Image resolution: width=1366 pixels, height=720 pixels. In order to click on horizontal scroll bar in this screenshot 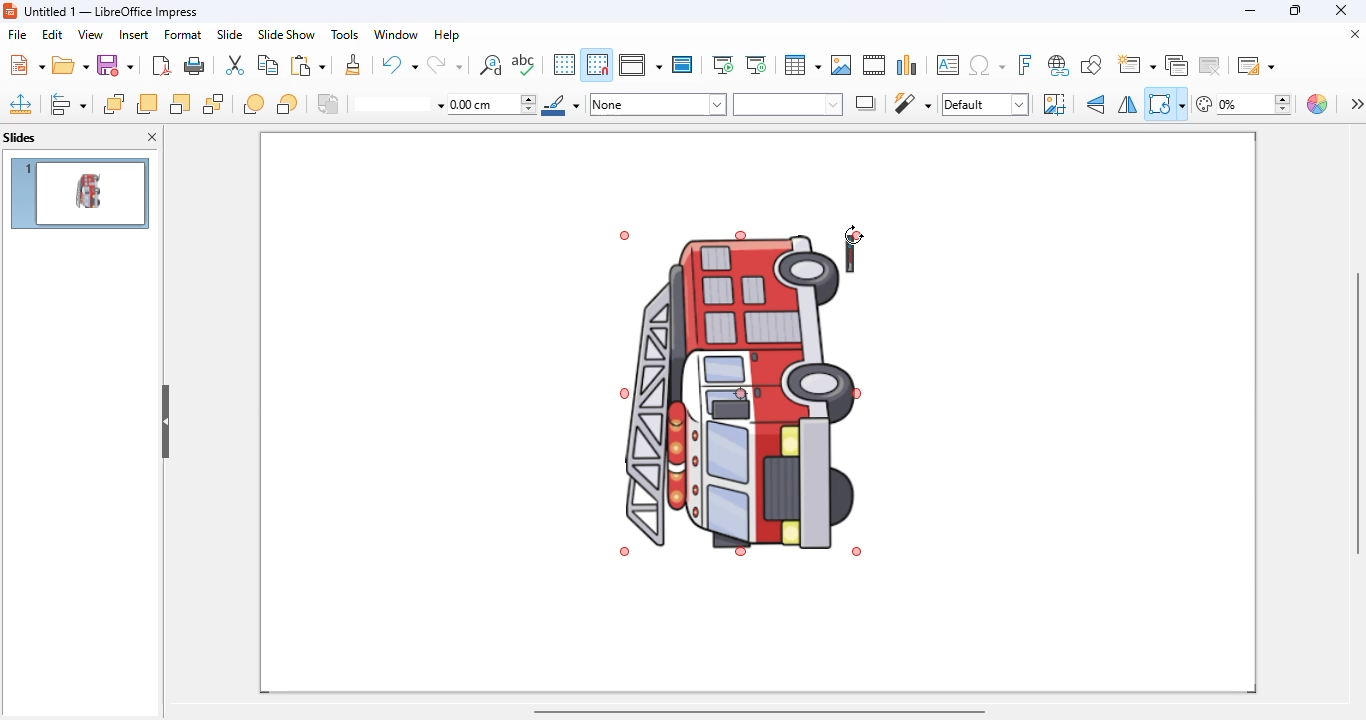, I will do `click(760, 712)`.